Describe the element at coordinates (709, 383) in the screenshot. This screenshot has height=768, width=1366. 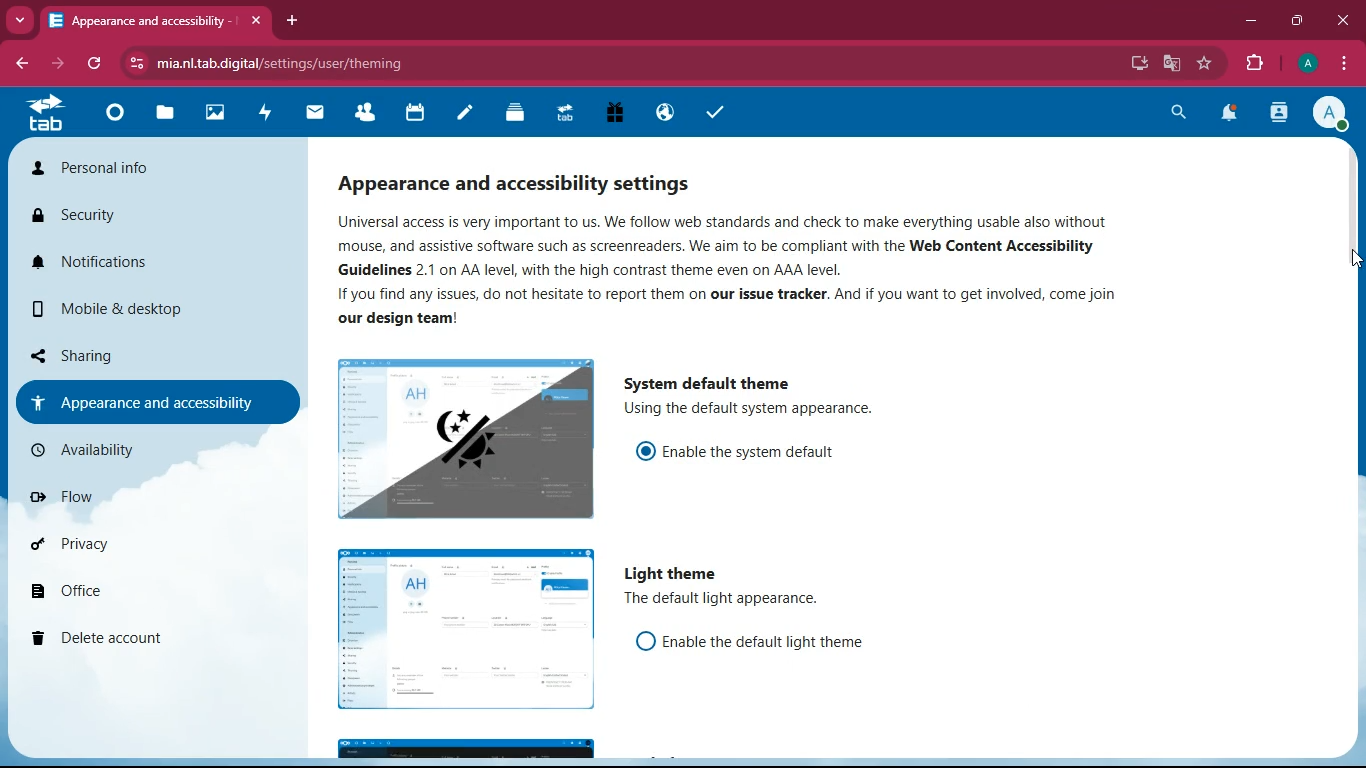
I see `system default` at that location.